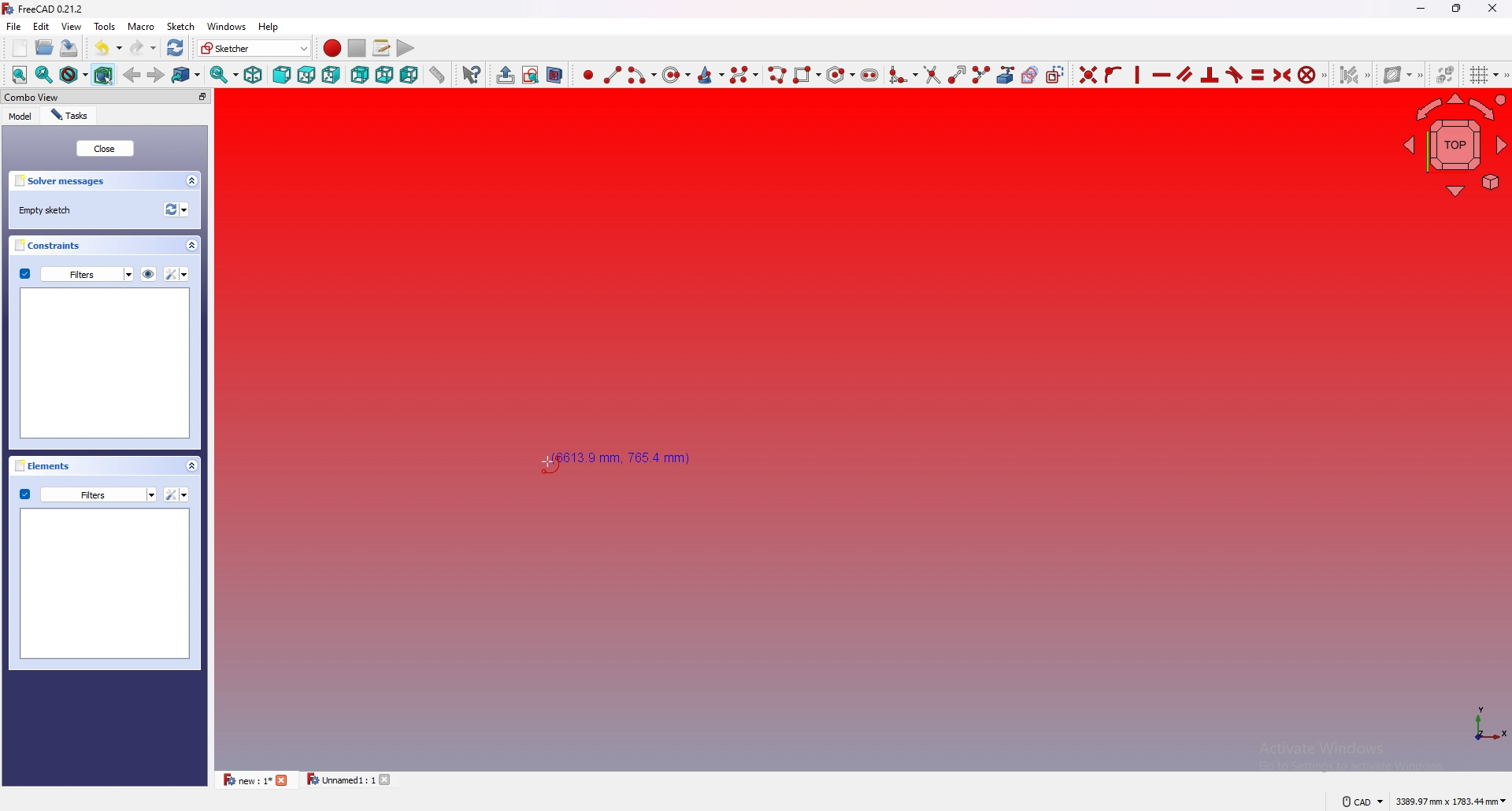  What do you see at coordinates (1458, 8) in the screenshot?
I see `resize` at bounding box center [1458, 8].